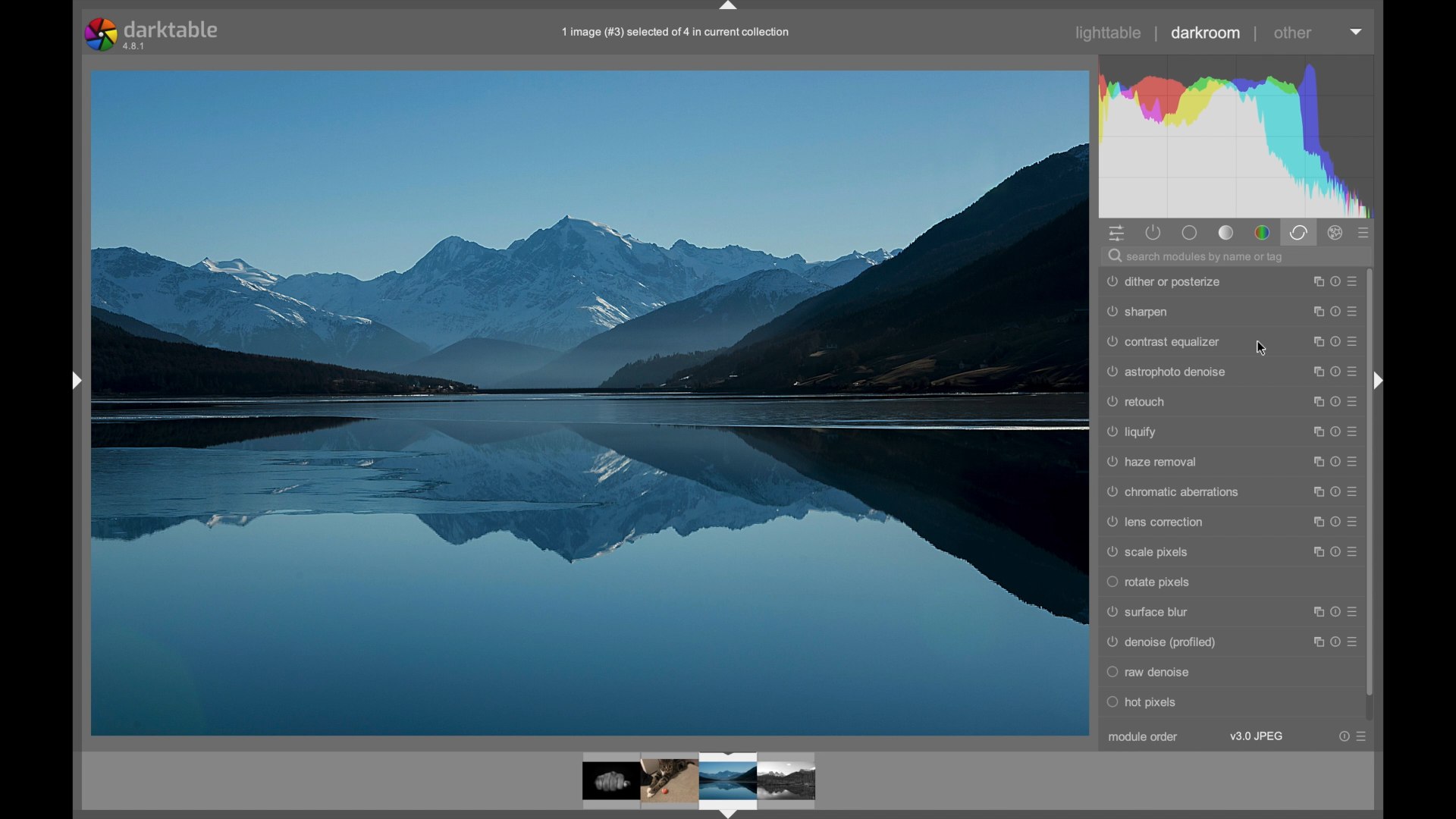  What do you see at coordinates (1370, 483) in the screenshot?
I see `scroll box` at bounding box center [1370, 483].